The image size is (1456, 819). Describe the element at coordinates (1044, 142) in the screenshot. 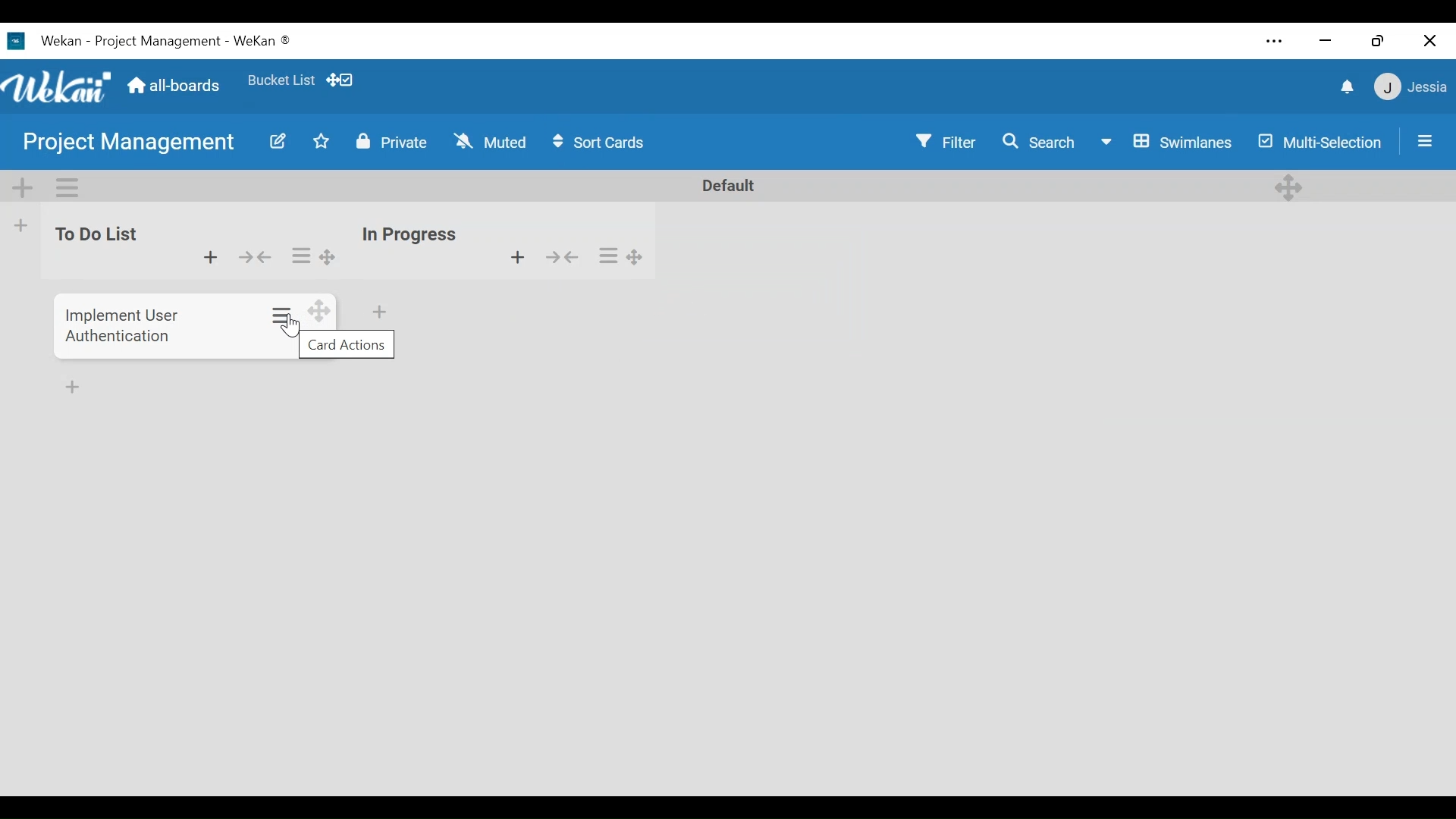

I see `Search` at that location.